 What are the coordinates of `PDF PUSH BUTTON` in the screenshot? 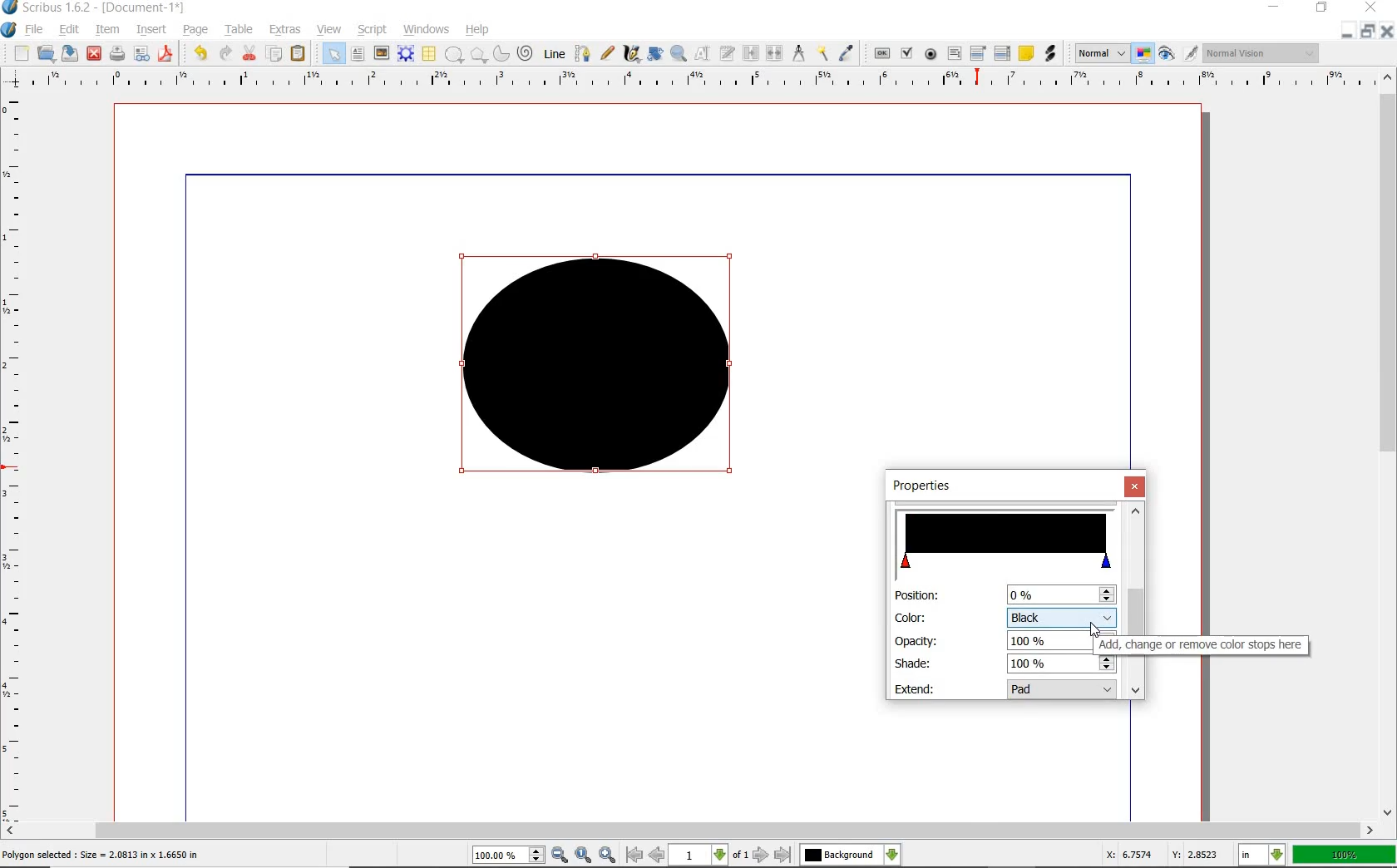 It's located at (881, 54).